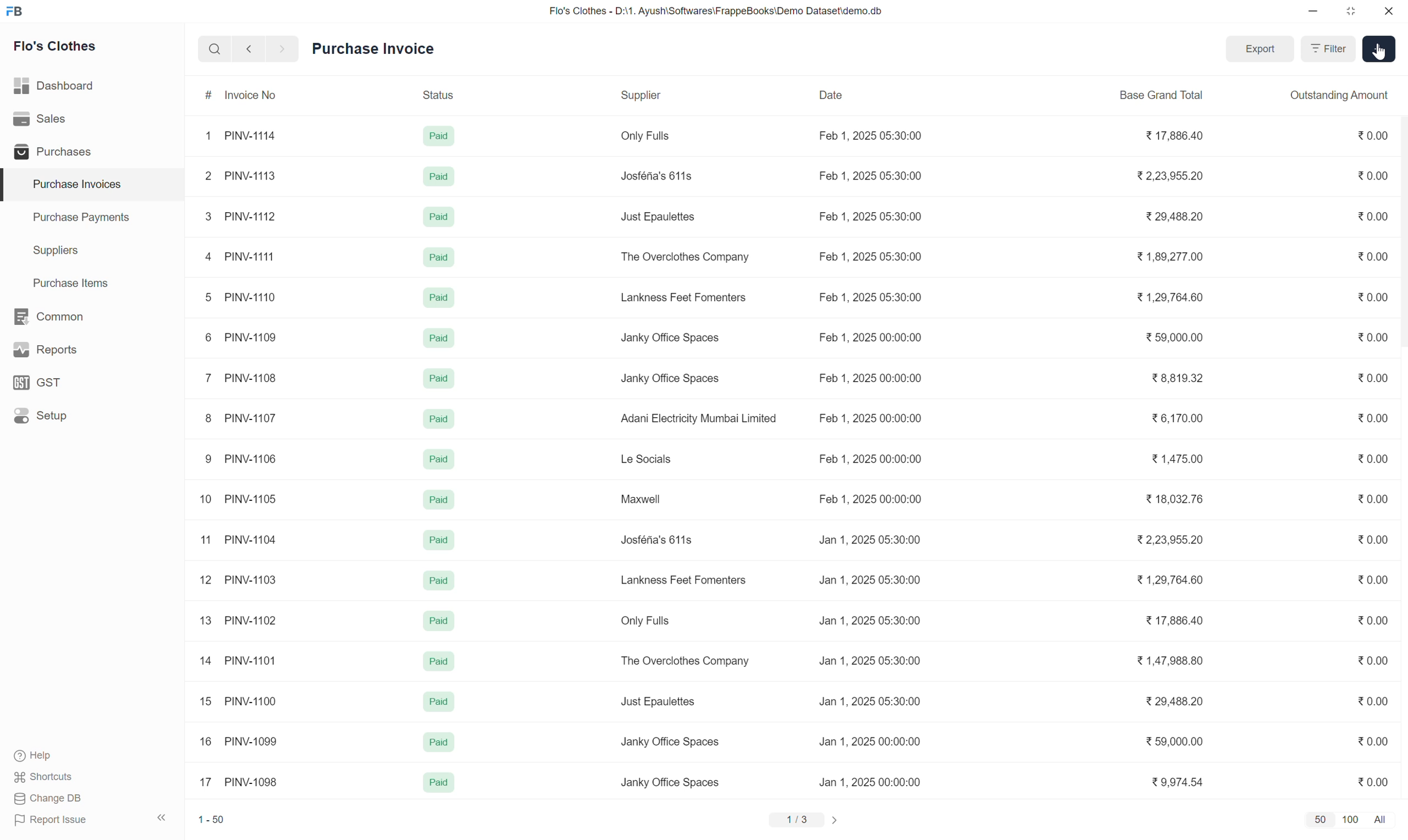  I want to click on Purchases, so click(91, 151).